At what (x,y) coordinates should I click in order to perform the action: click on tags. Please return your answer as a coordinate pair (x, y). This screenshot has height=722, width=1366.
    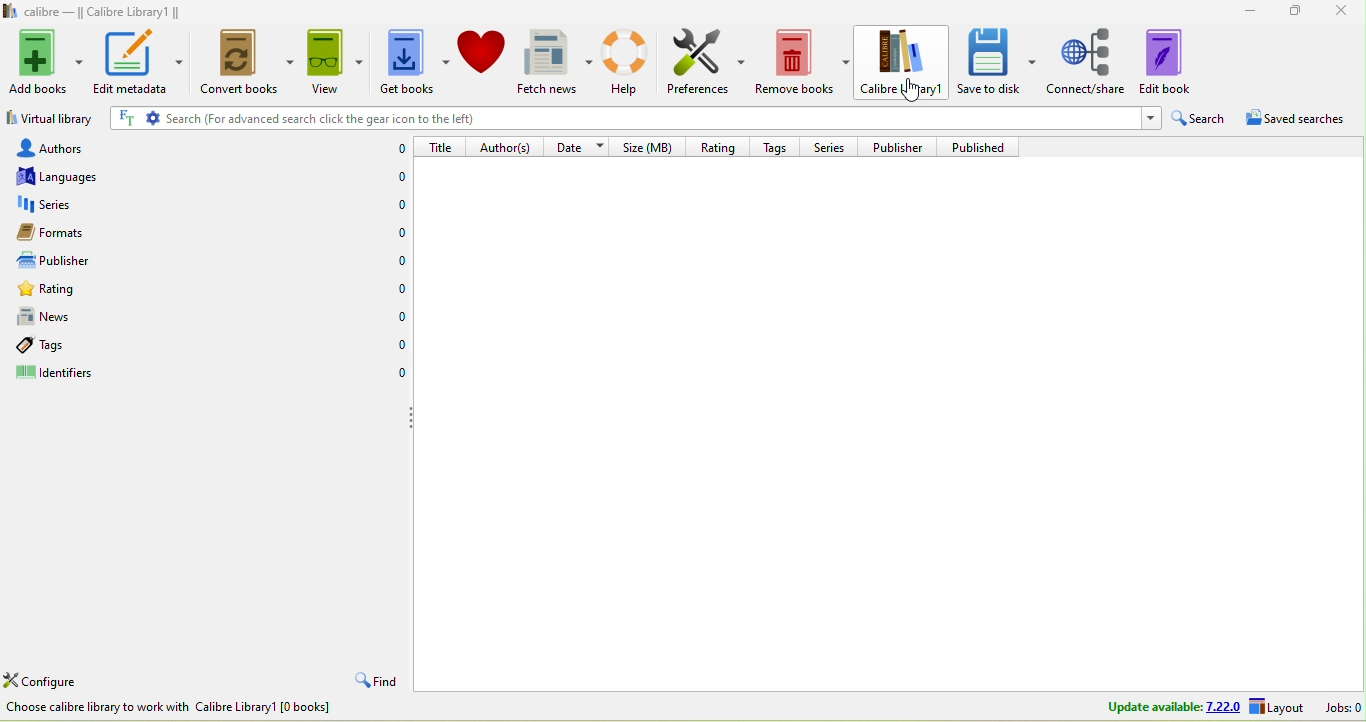
    Looking at the image, I should click on (68, 345).